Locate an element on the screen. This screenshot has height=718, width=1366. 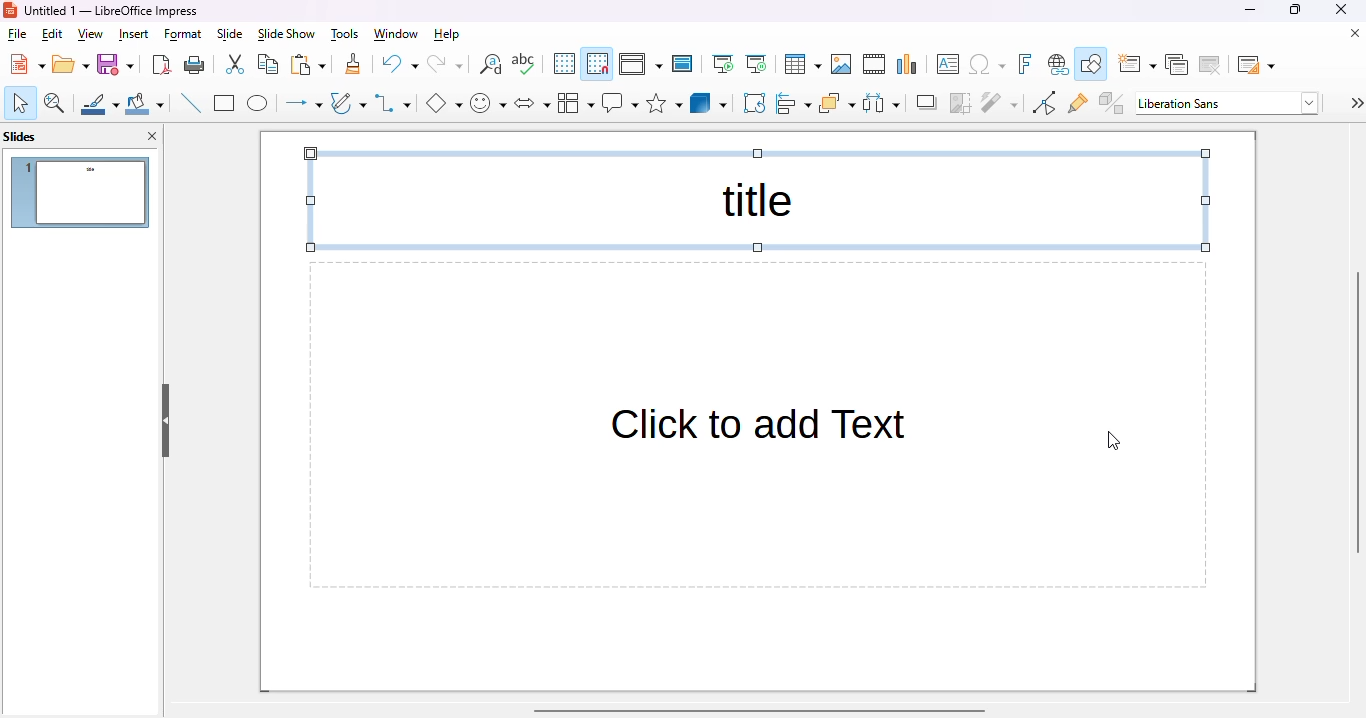
vertical scroll bar is located at coordinates (1357, 412).